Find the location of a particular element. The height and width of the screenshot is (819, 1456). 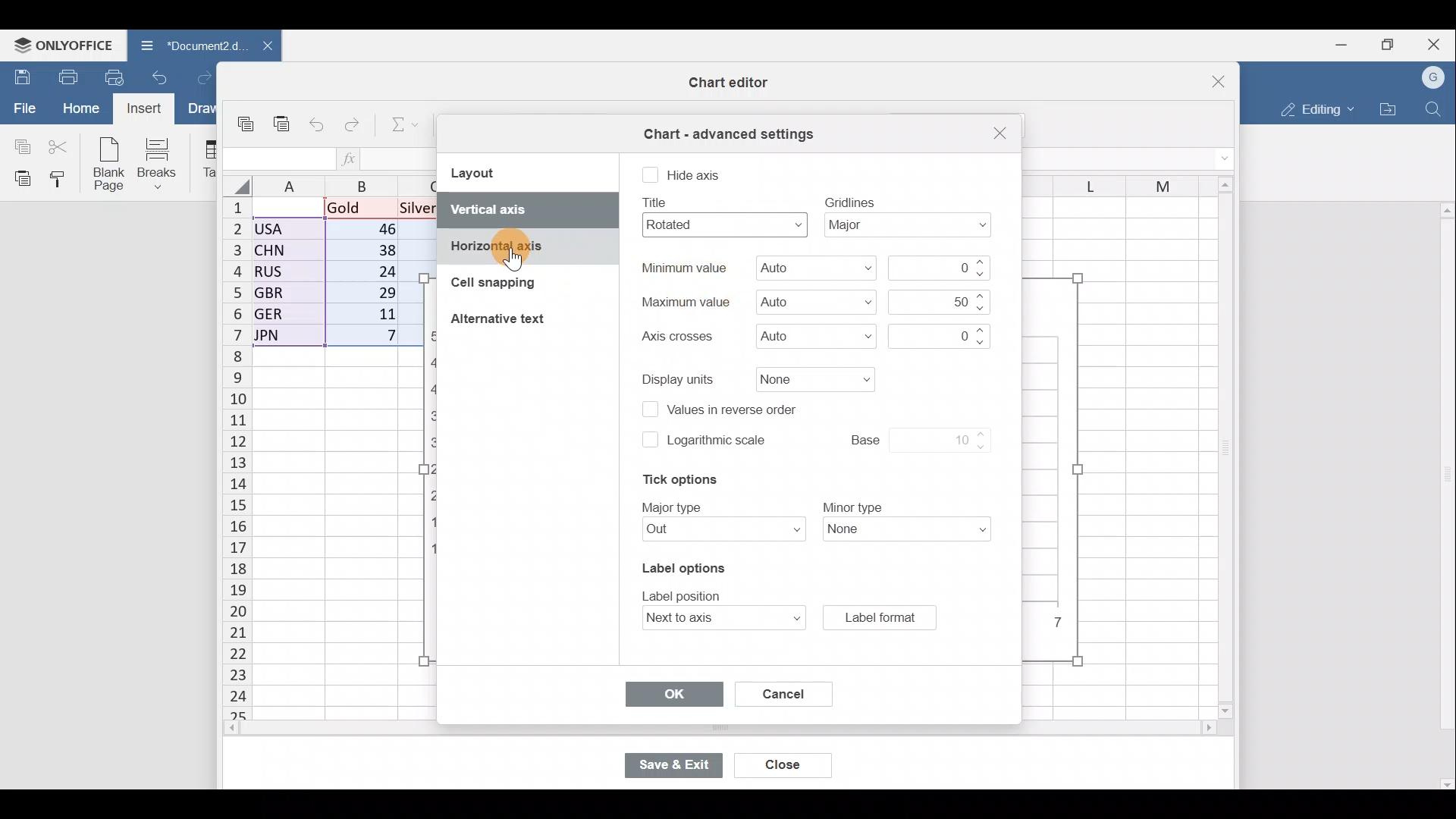

Table is located at coordinates (209, 160).